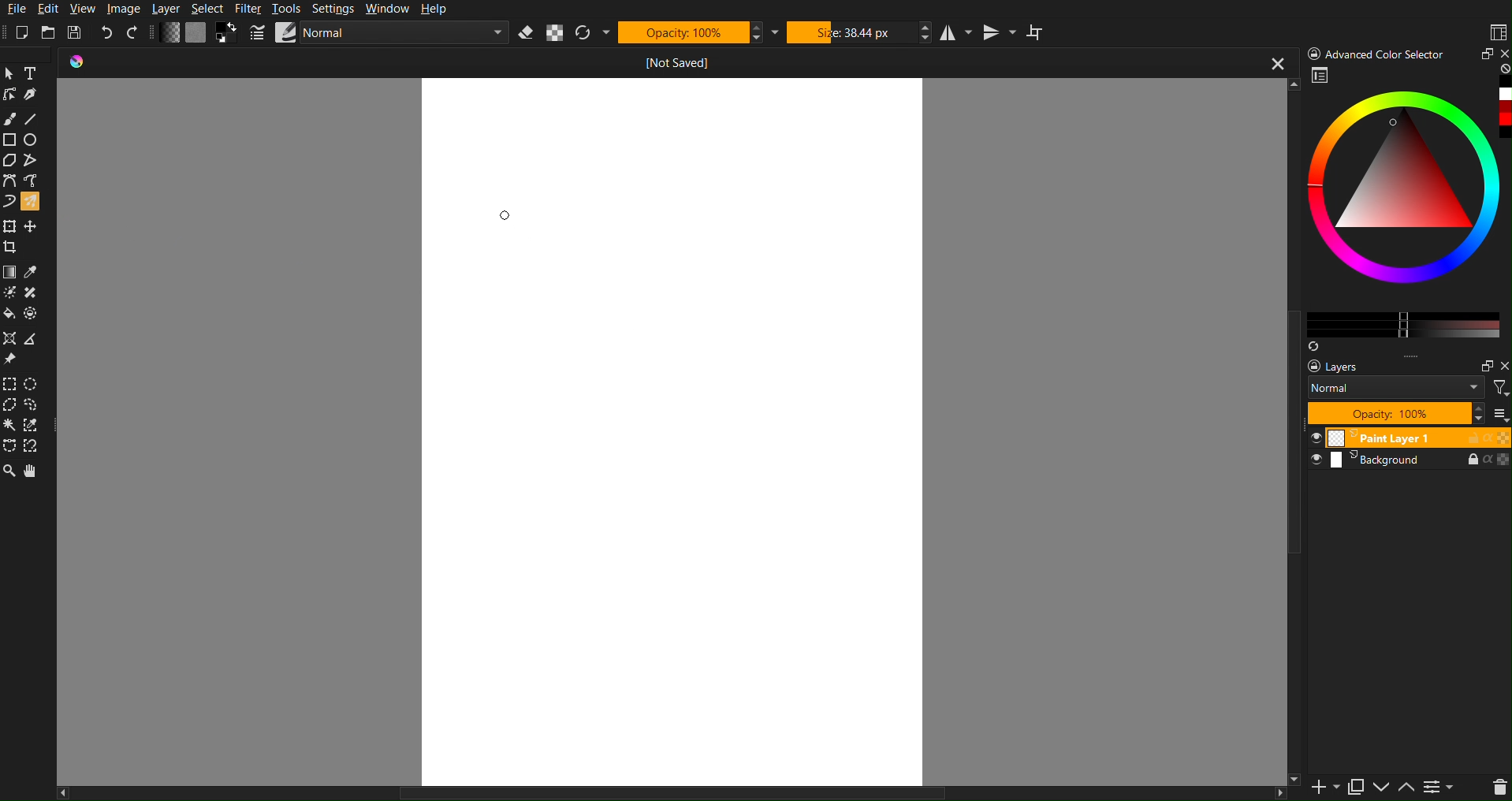  Describe the element at coordinates (10, 72) in the screenshot. I see `Pointer` at that location.